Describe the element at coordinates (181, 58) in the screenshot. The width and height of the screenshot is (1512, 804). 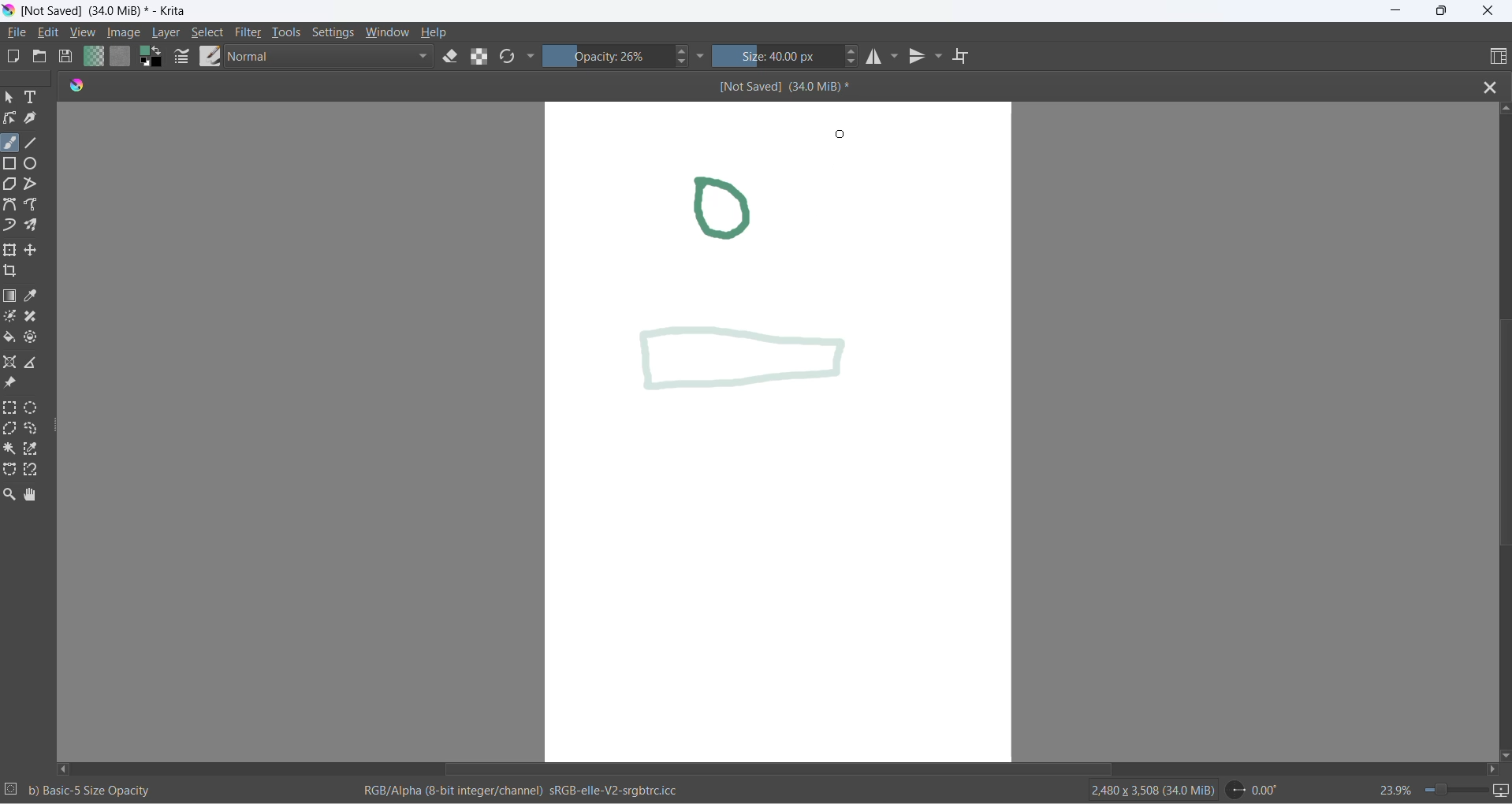
I see `brush settings` at that location.